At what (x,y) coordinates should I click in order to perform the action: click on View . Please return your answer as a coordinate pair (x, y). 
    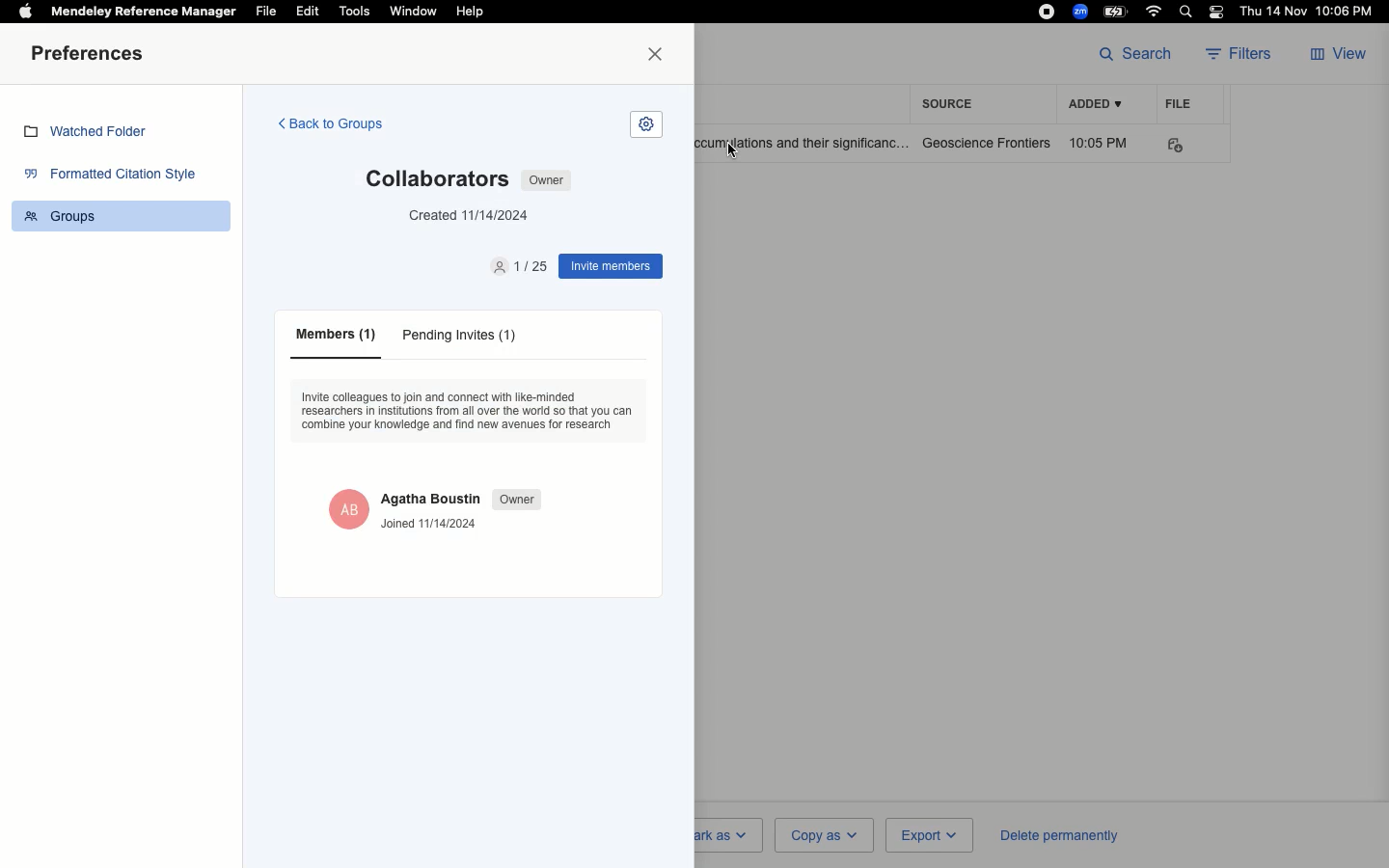
    Looking at the image, I should click on (1341, 55).